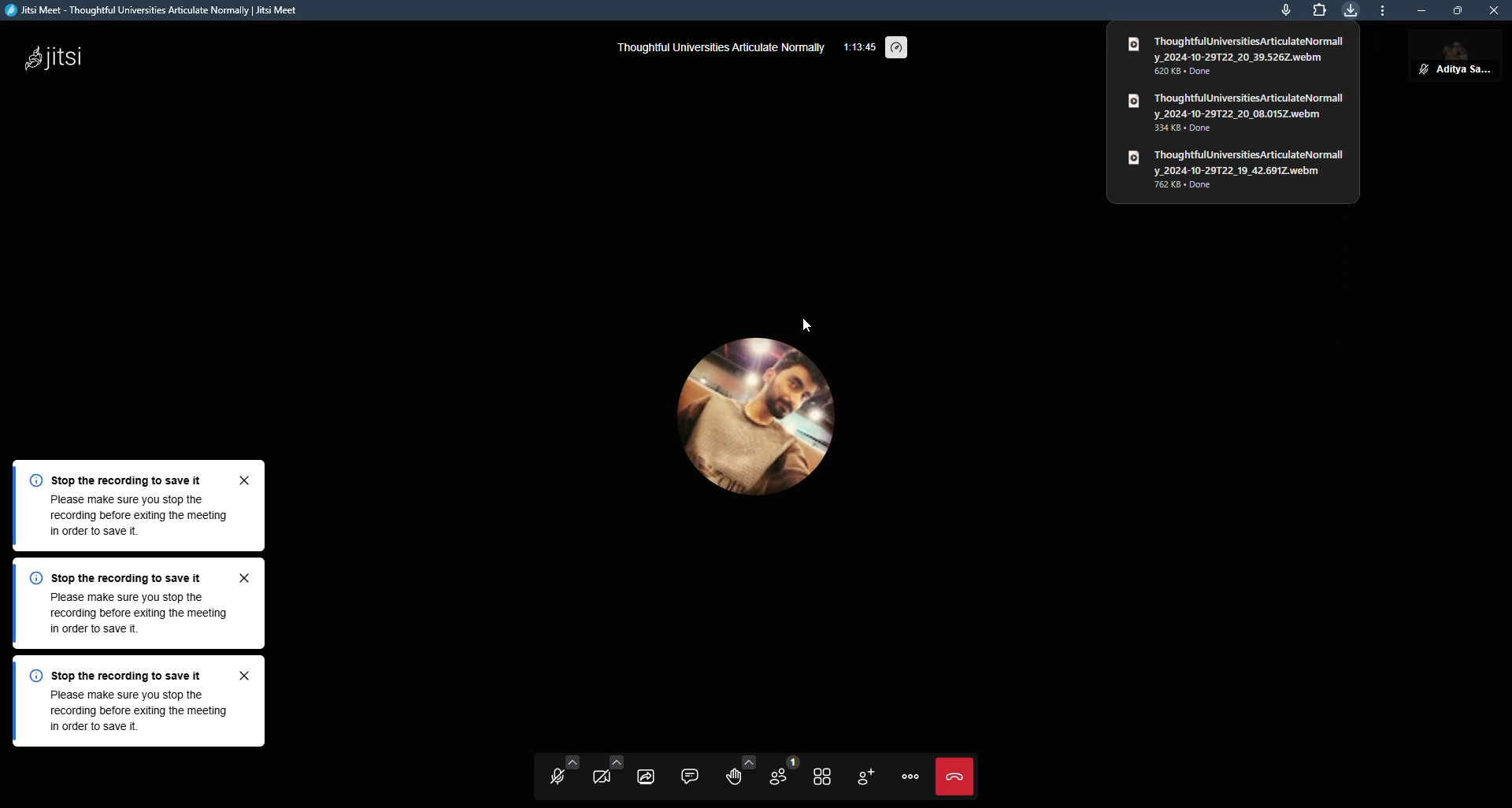 The image size is (1512, 808). Describe the element at coordinates (958, 775) in the screenshot. I see `end call` at that location.